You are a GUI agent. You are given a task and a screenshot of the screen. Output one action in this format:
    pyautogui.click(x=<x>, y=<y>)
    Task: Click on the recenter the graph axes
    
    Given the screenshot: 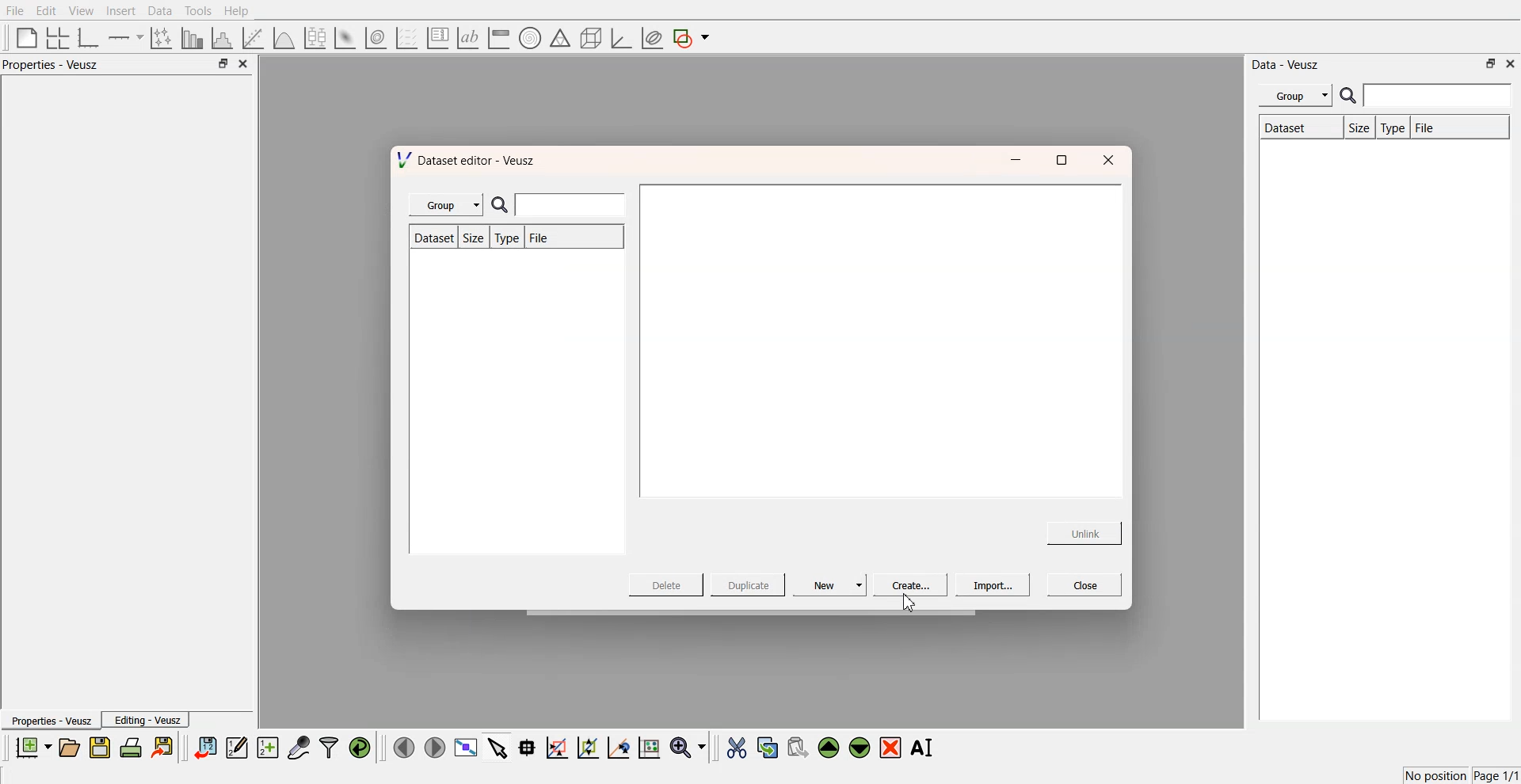 What is the action you would take?
    pyautogui.click(x=618, y=747)
    